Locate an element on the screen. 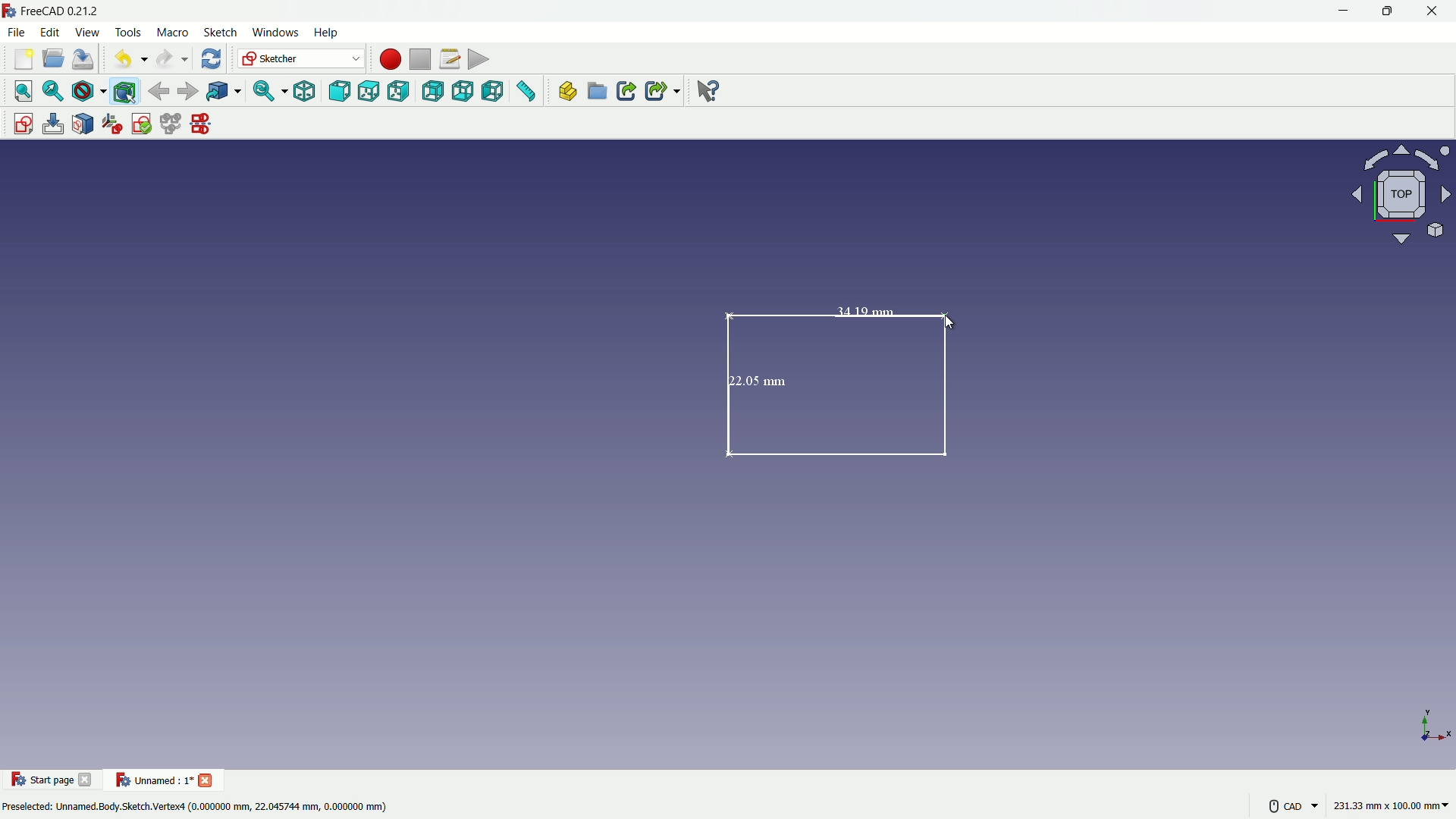 The height and width of the screenshot is (819, 1456). bounding box is located at coordinates (127, 91).